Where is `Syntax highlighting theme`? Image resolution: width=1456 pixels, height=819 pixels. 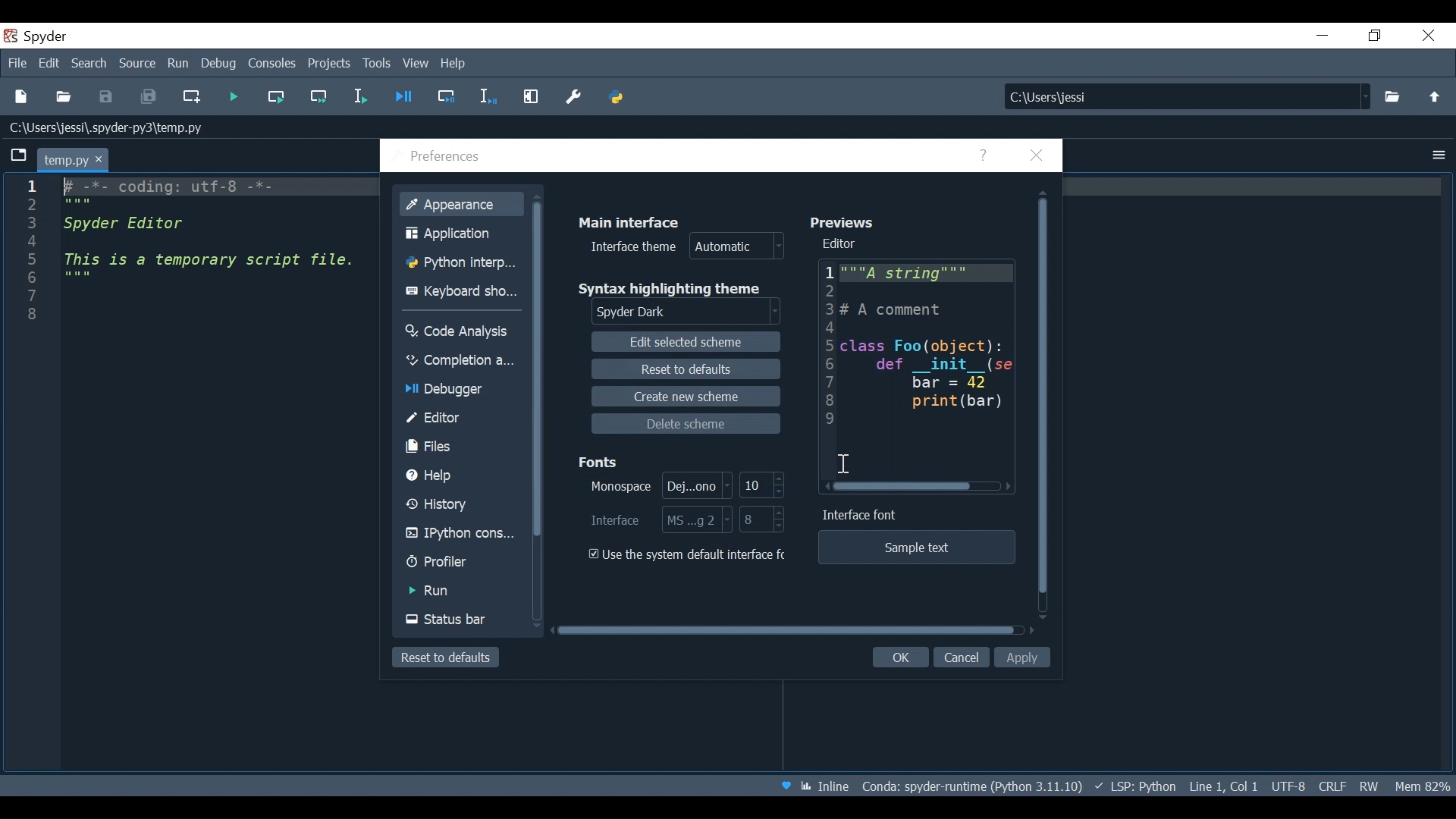 Syntax highlighting theme is located at coordinates (671, 288).